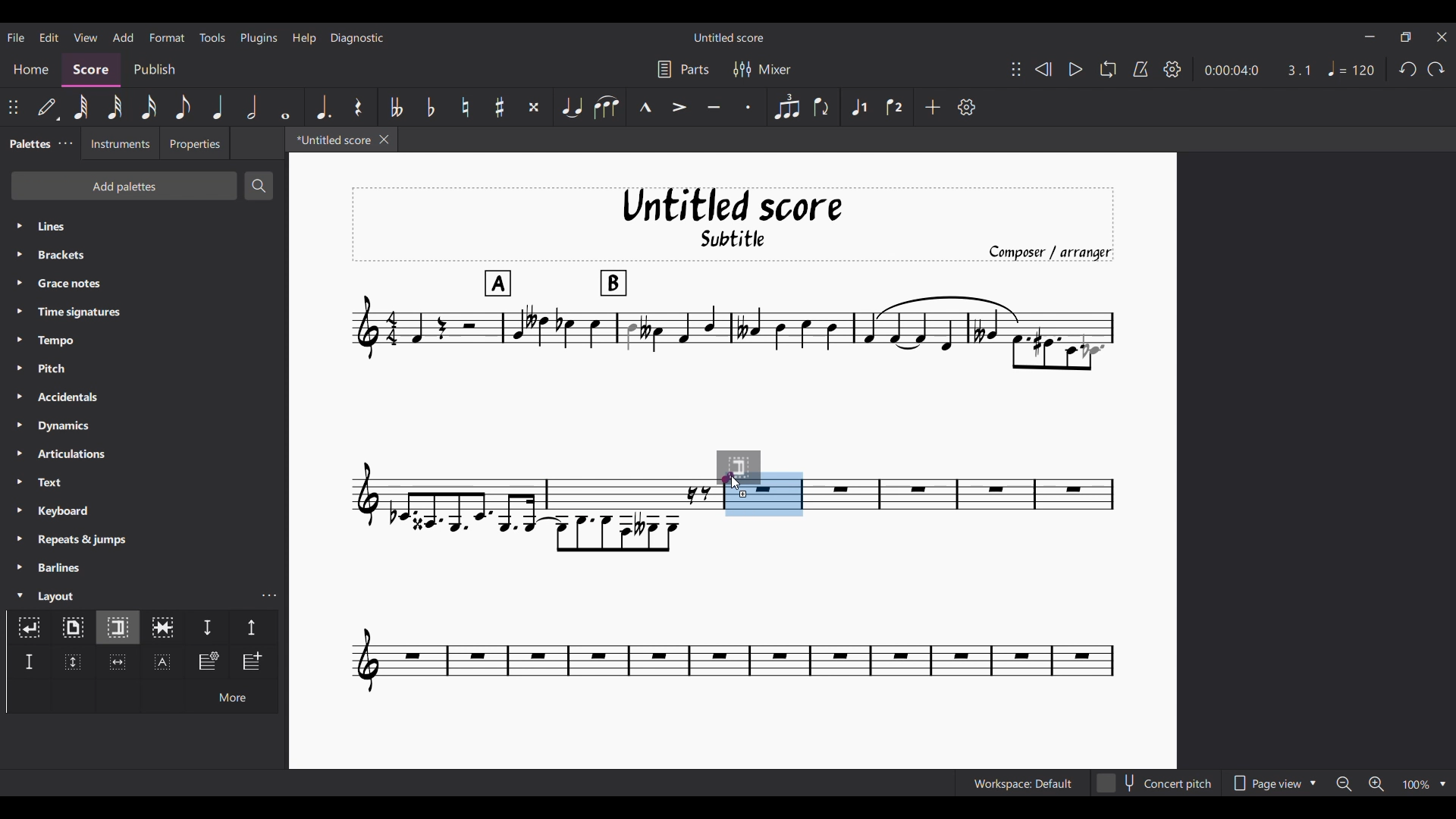 The height and width of the screenshot is (819, 1456). Describe the element at coordinates (1016, 69) in the screenshot. I see `Change position` at that location.